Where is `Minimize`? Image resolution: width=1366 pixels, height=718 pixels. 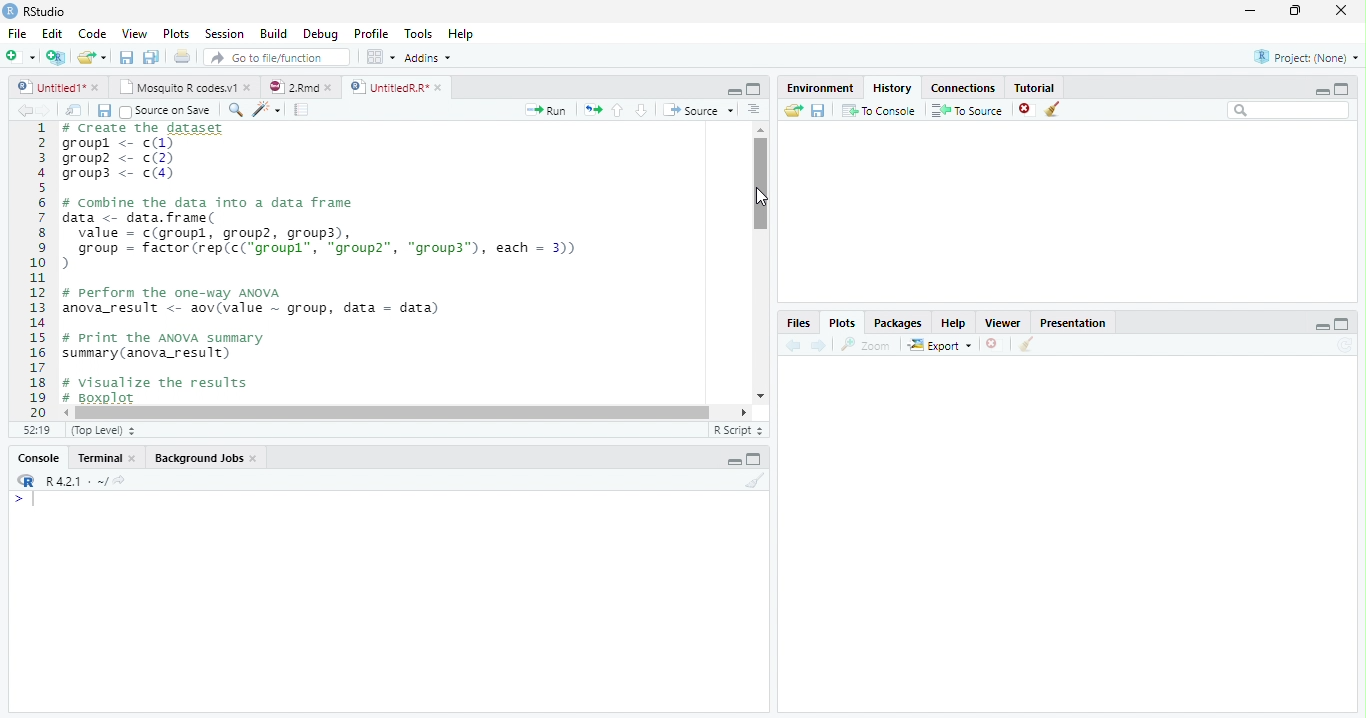
Minimize is located at coordinates (731, 90).